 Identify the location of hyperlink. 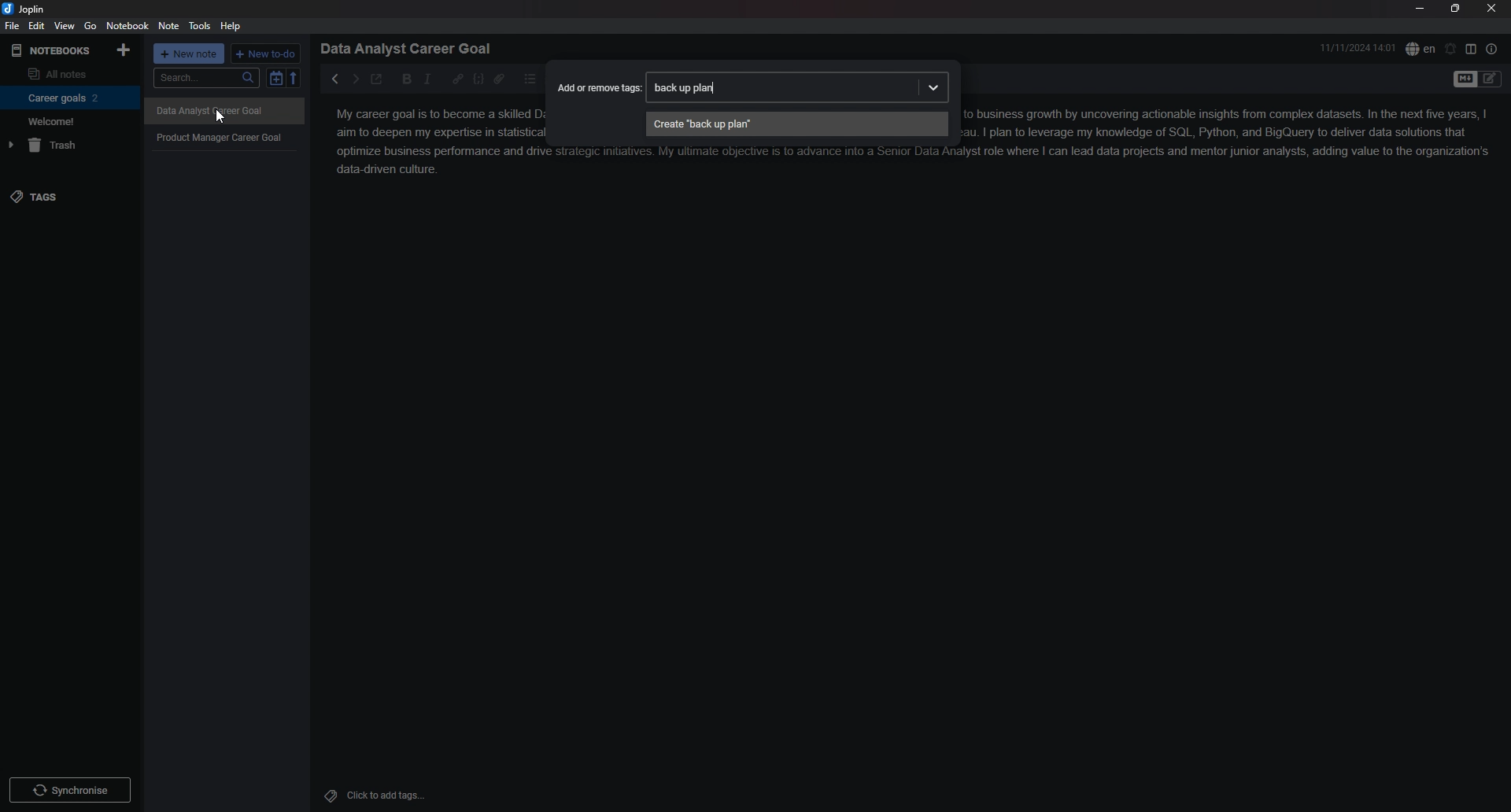
(457, 79).